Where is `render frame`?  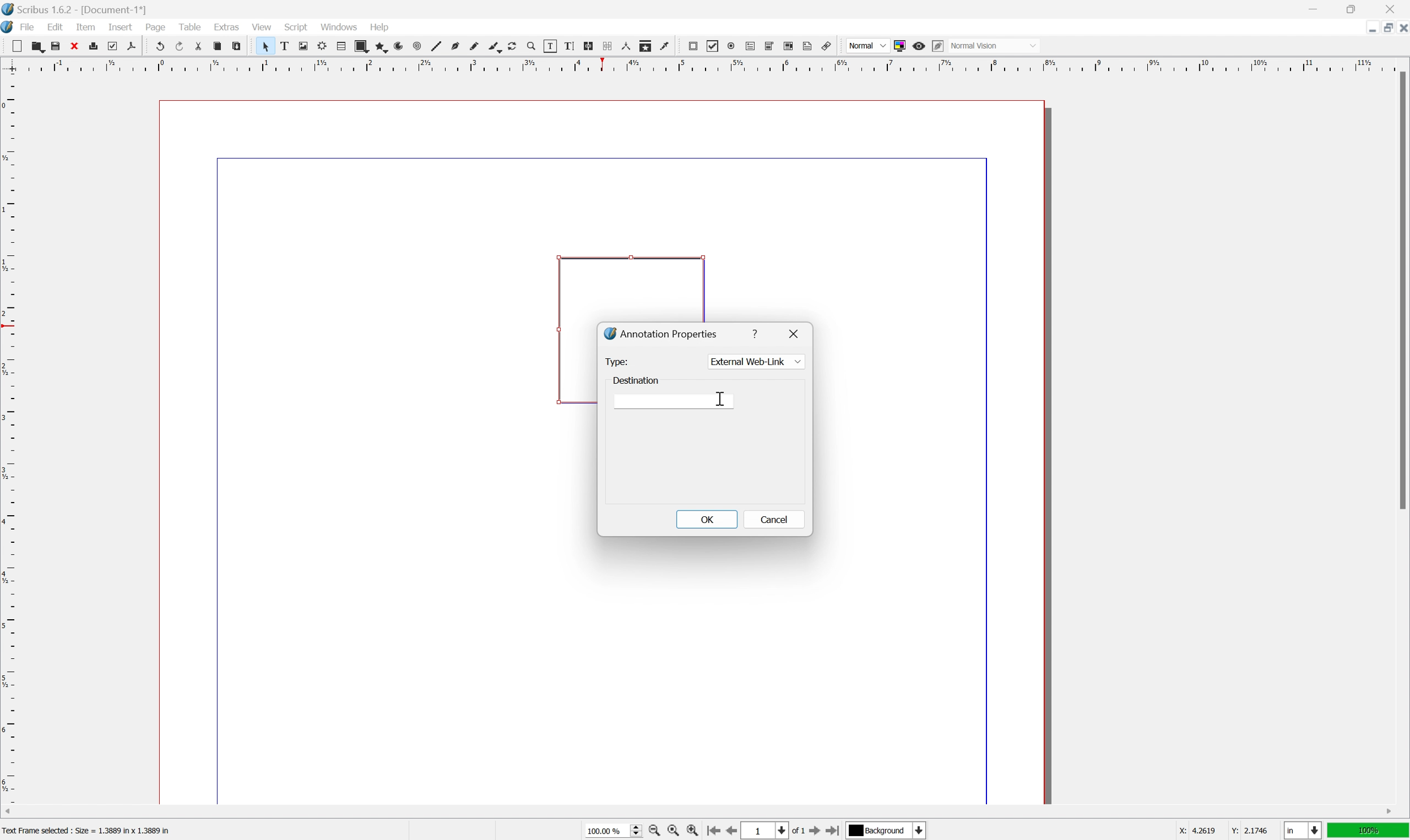
render frame is located at coordinates (323, 46).